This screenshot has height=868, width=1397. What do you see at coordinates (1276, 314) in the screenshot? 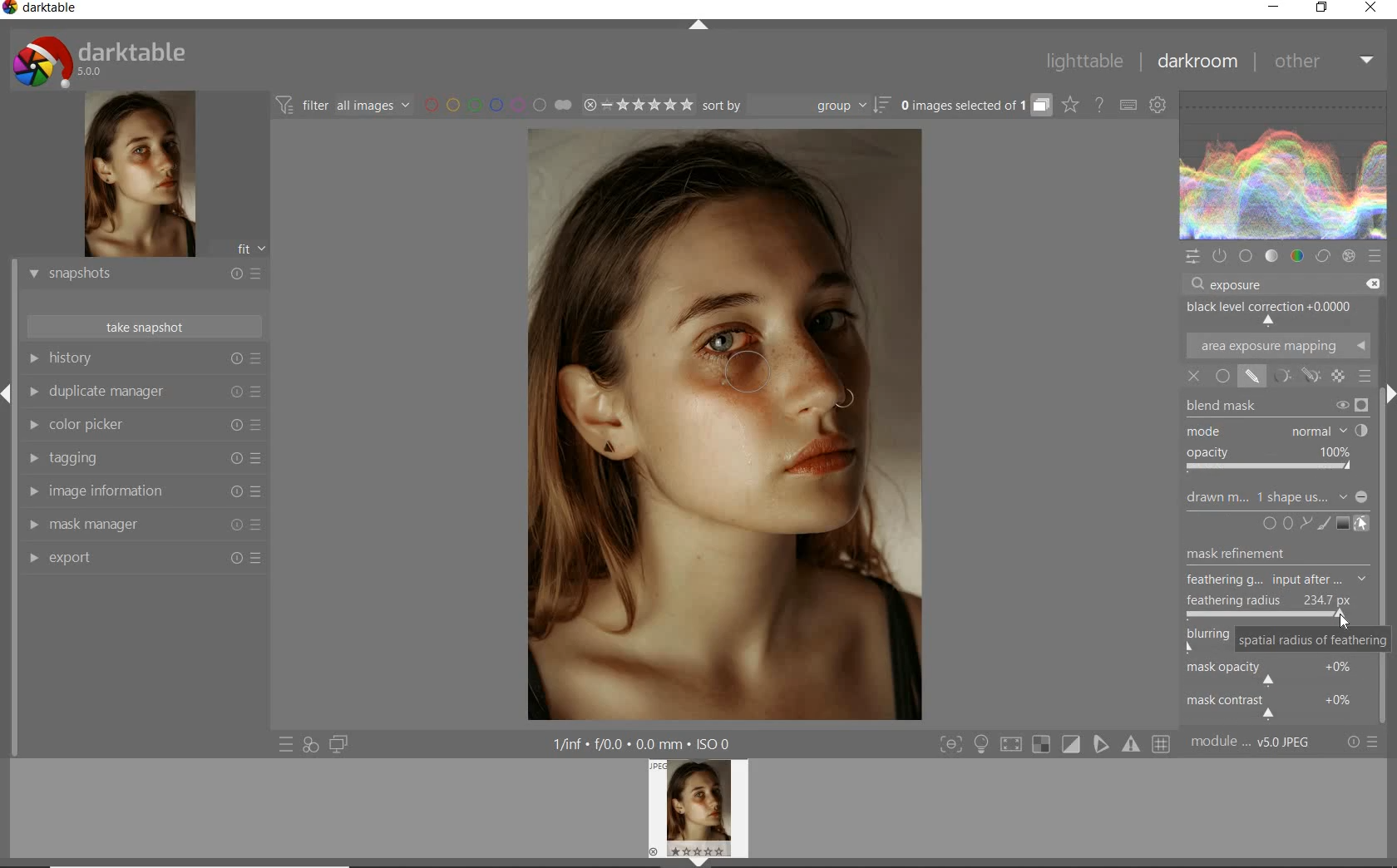
I see `BLACK LEVEL CORRECTION` at bounding box center [1276, 314].